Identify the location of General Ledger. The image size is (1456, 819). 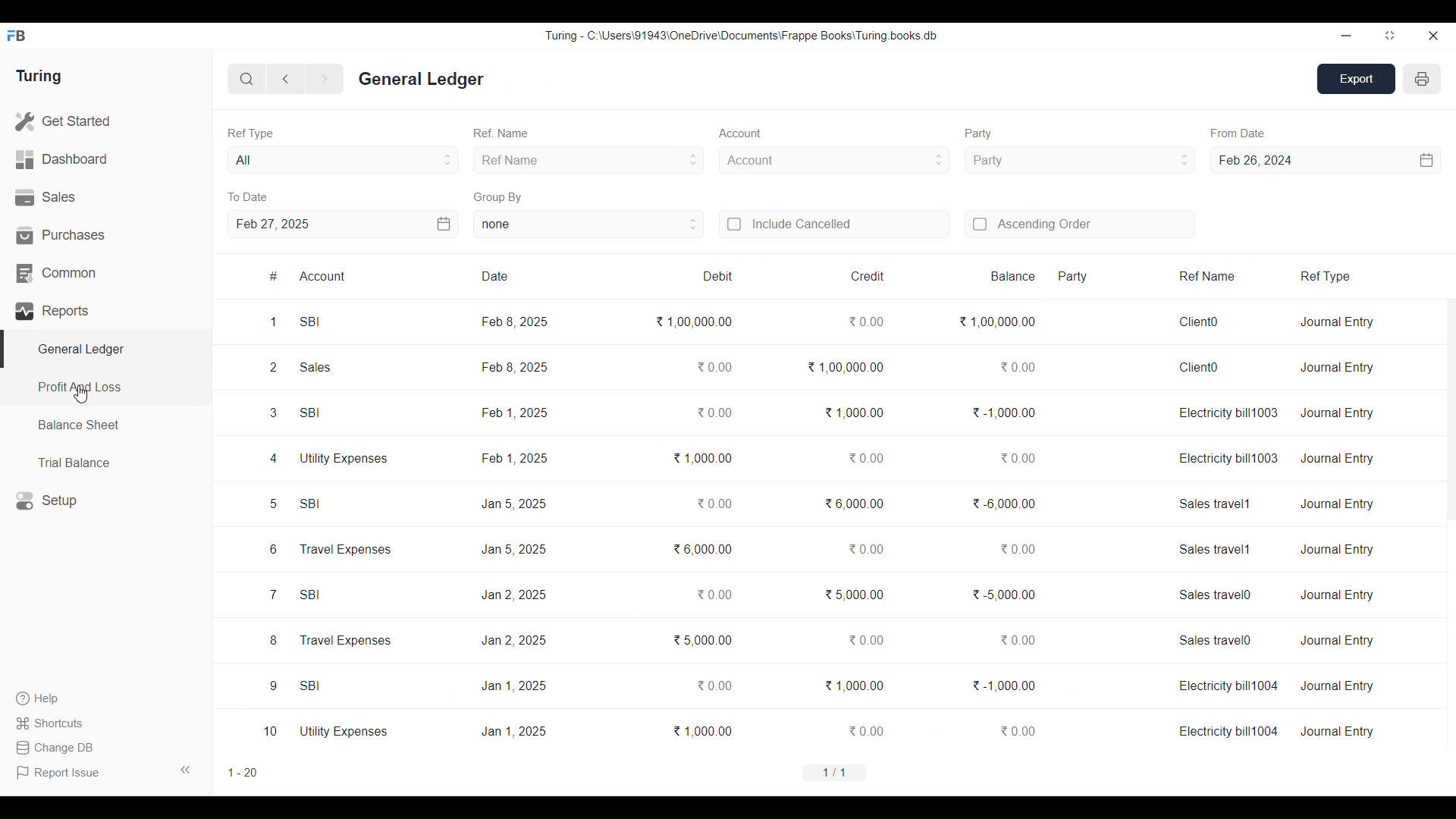
(423, 79).